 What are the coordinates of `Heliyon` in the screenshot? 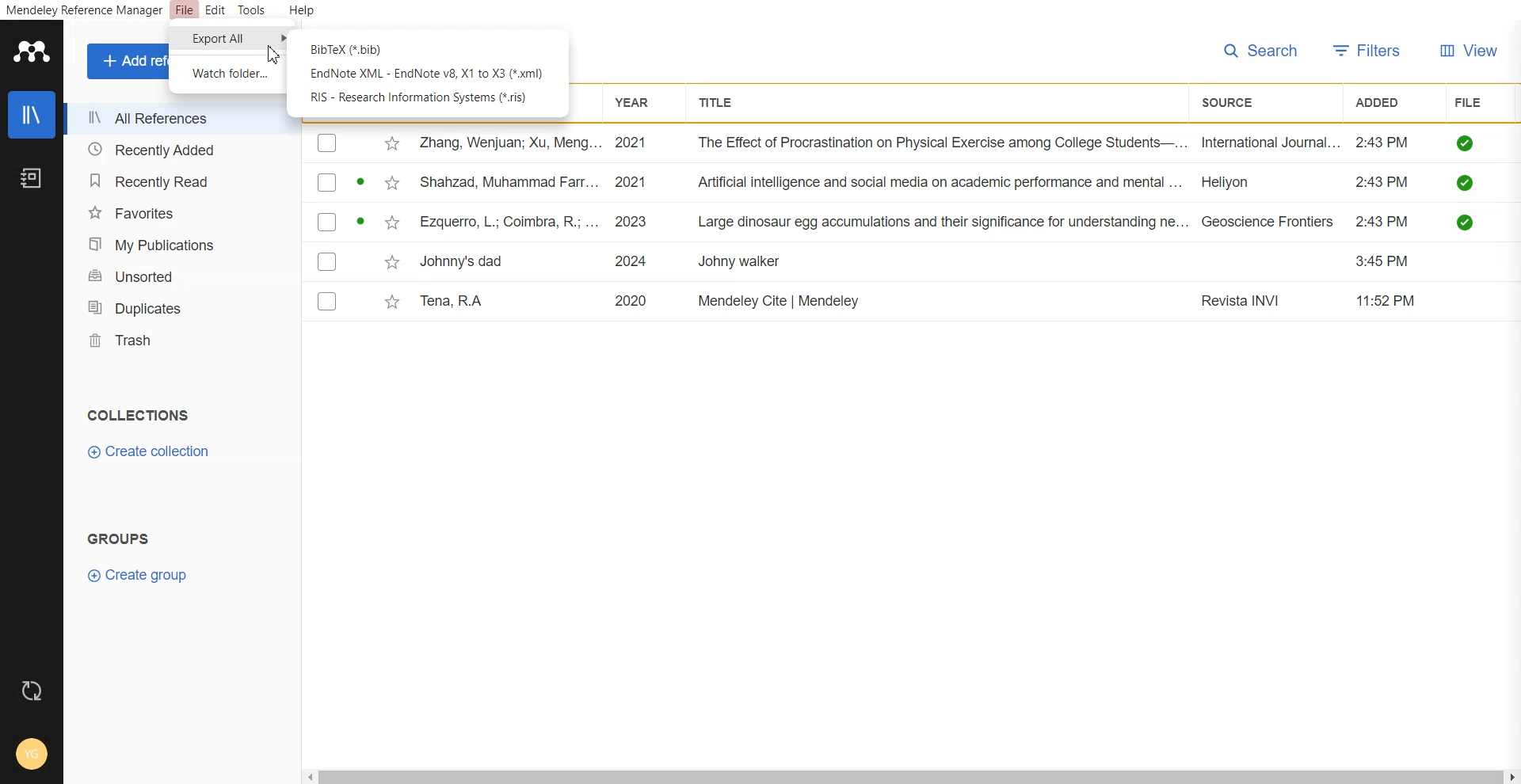 It's located at (1236, 181).